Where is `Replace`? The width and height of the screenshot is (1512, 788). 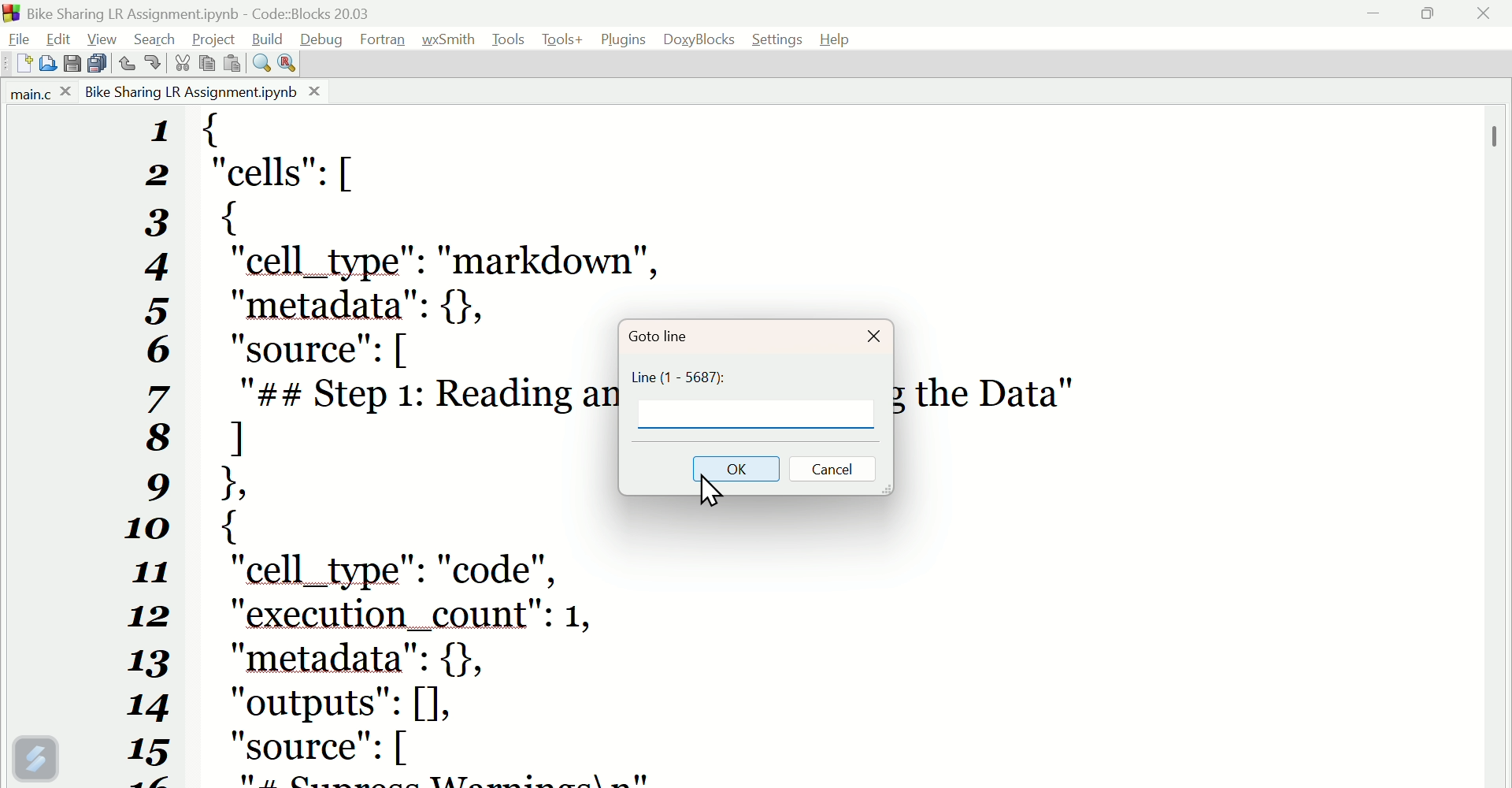 Replace is located at coordinates (287, 62).